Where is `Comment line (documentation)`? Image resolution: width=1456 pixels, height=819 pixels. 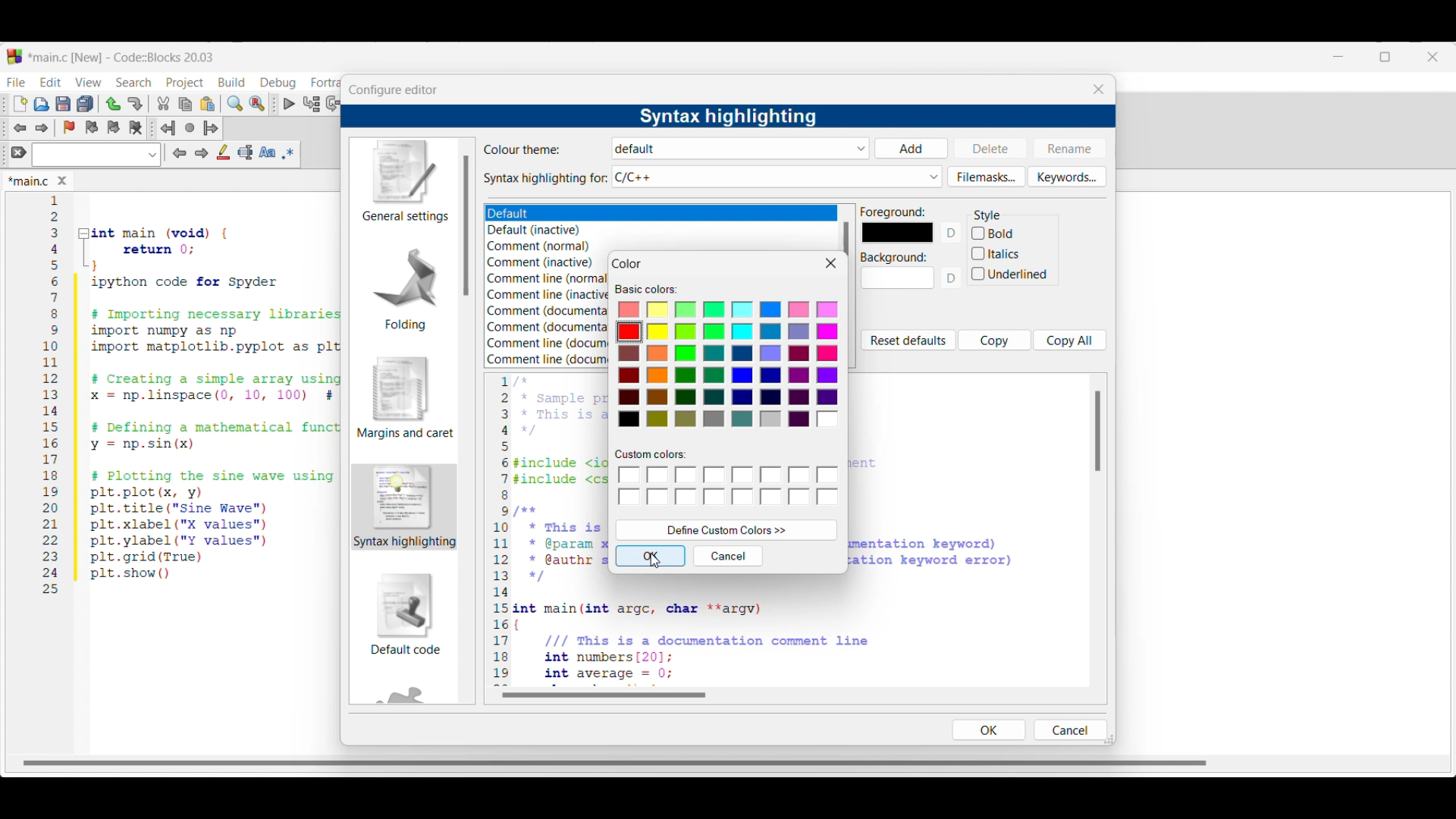 Comment line (documentation) is located at coordinates (548, 341).